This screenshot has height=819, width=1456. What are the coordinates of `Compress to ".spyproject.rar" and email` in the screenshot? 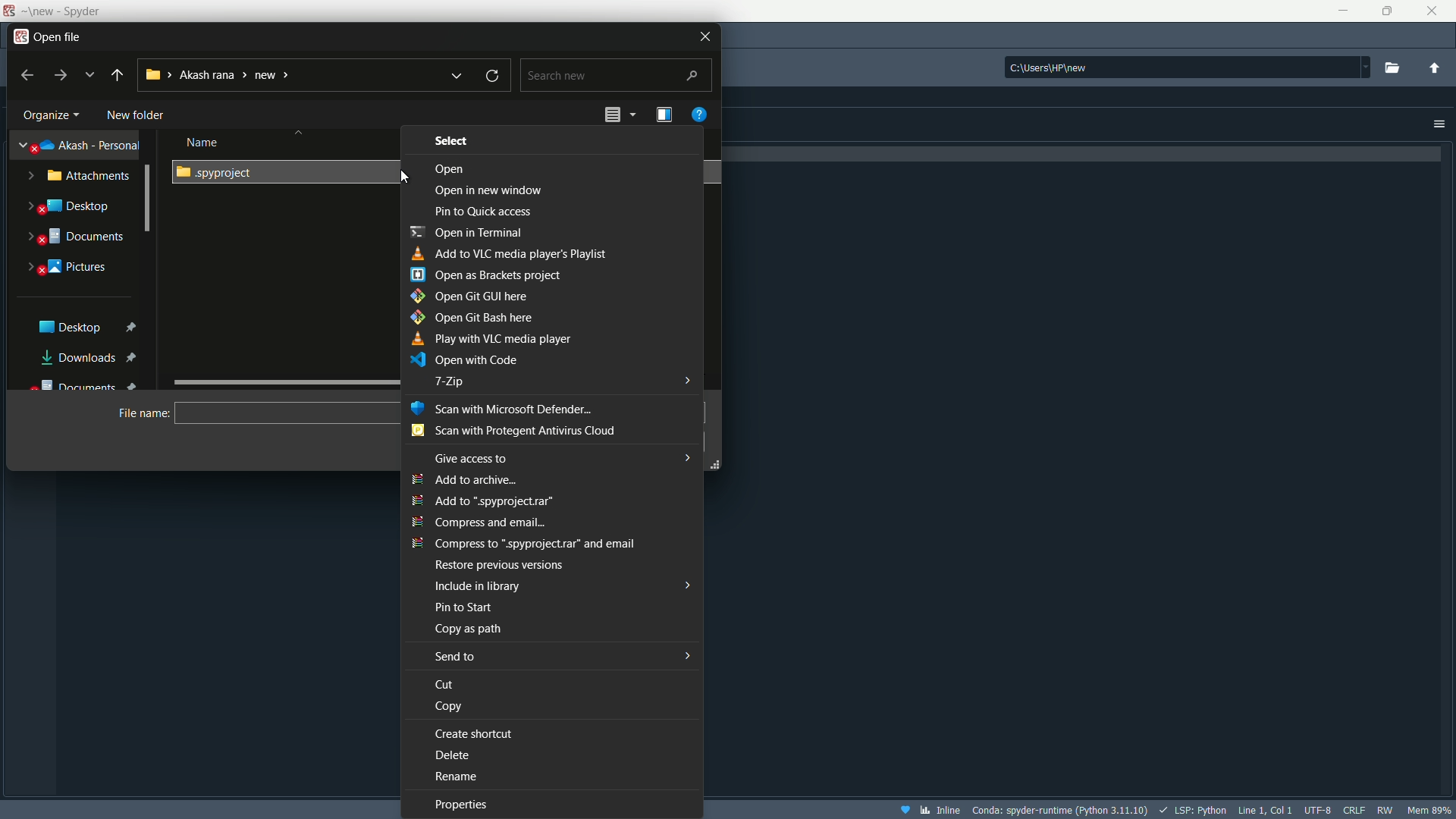 It's located at (528, 543).